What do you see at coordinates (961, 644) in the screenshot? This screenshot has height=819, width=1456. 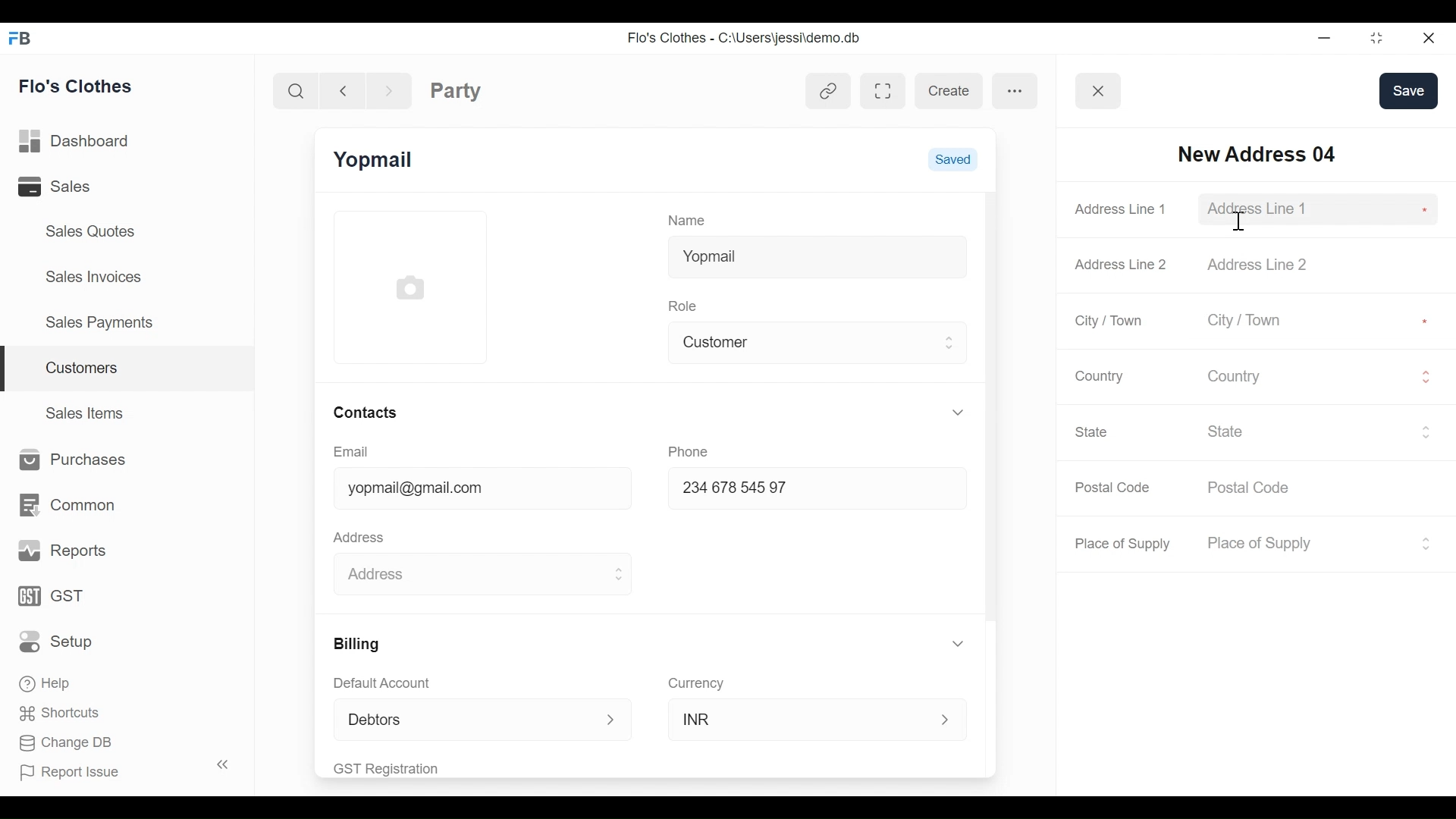 I see `Expand` at bounding box center [961, 644].